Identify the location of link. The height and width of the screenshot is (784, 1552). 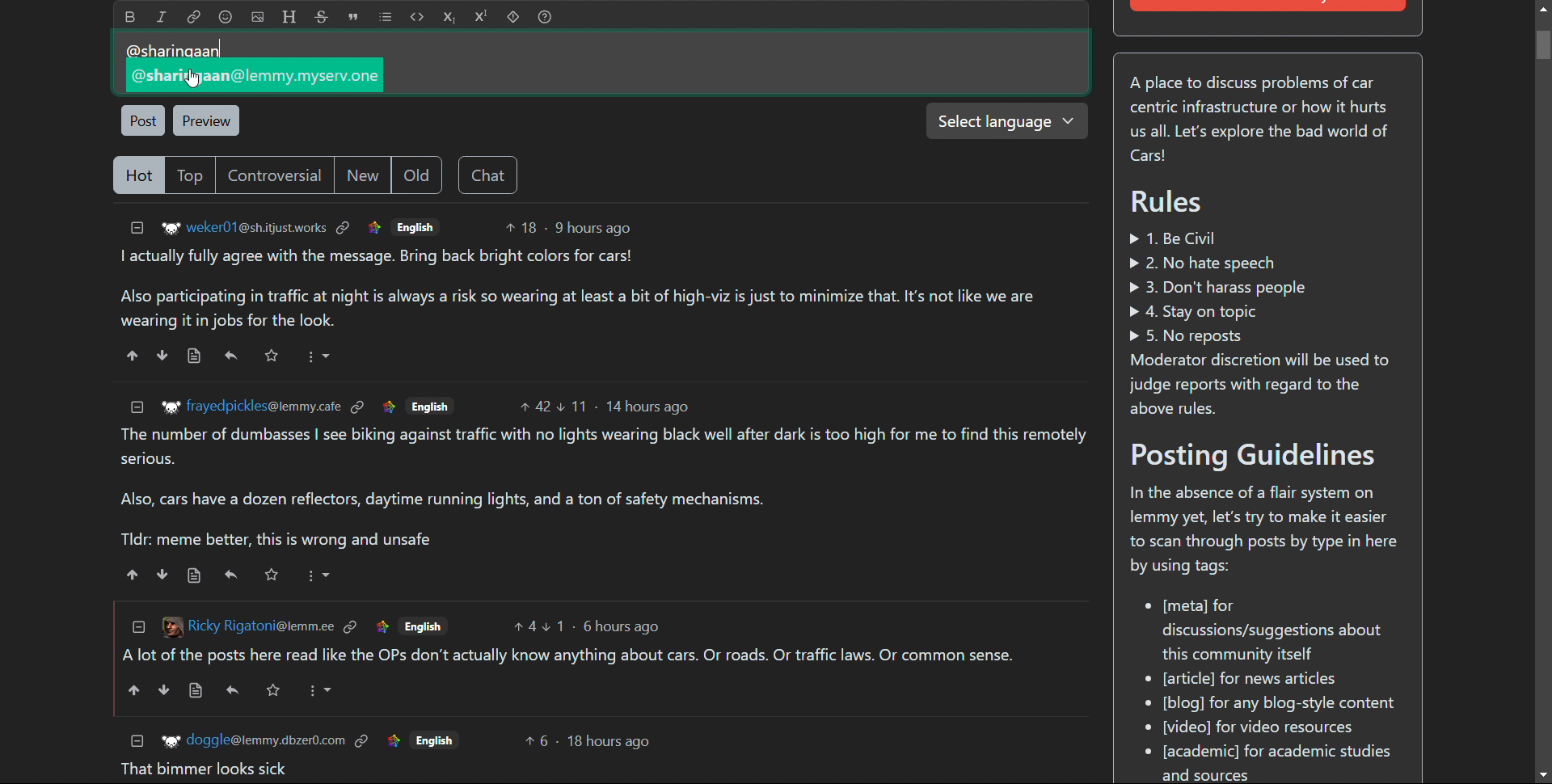
(373, 228).